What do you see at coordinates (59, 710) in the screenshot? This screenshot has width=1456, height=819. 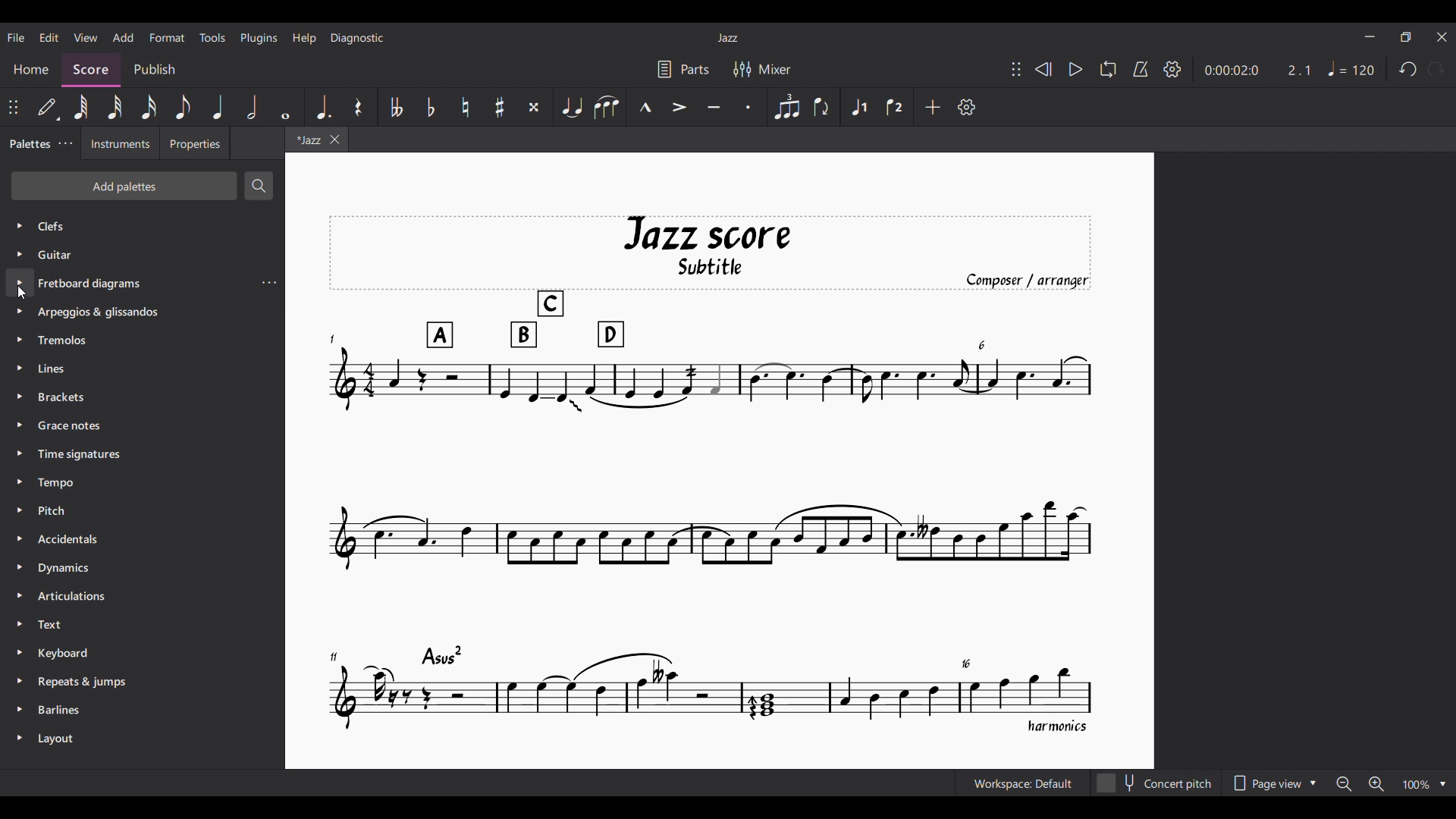 I see `Barlines` at bounding box center [59, 710].